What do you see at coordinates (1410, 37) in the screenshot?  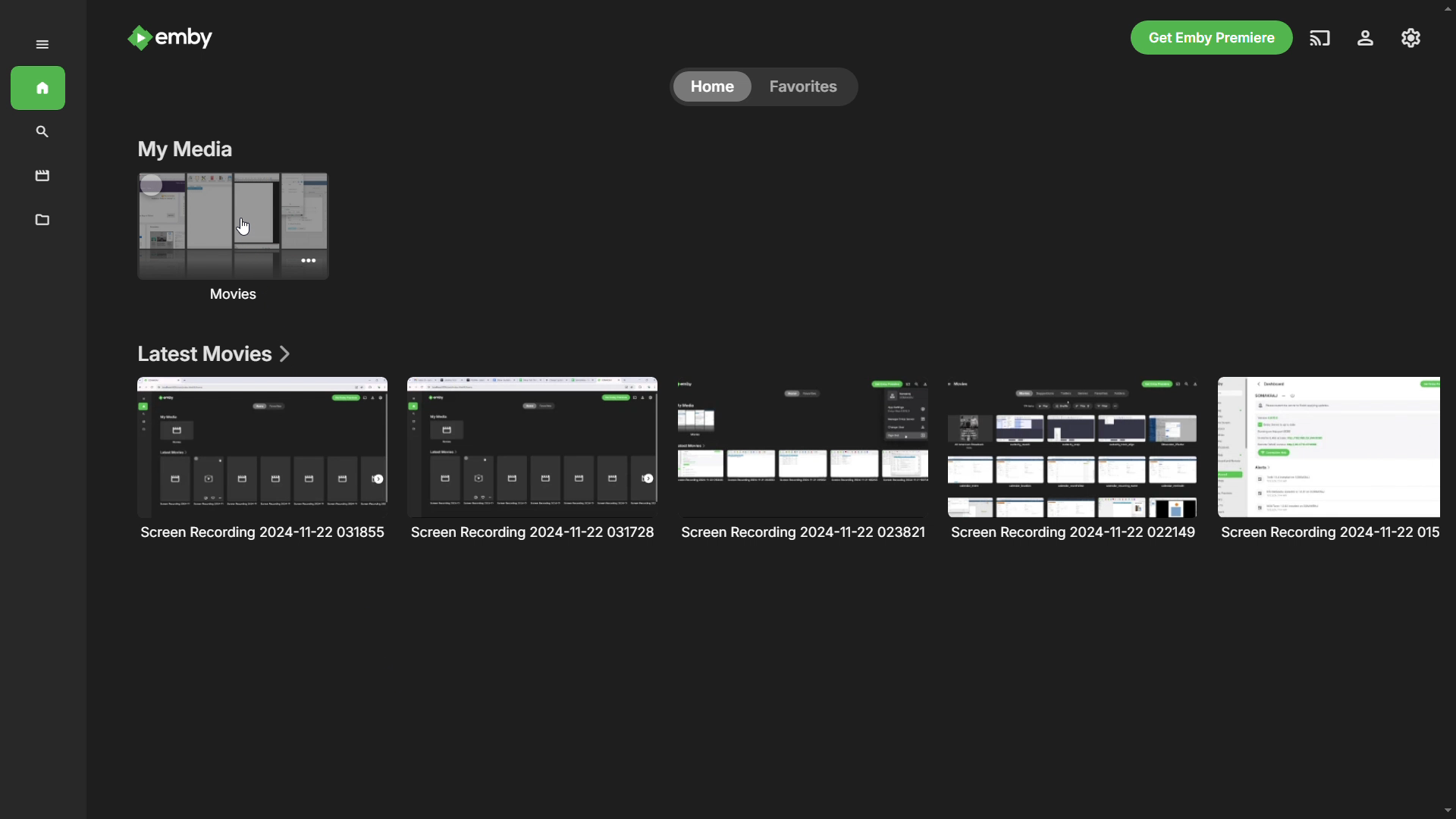 I see `settings` at bounding box center [1410, 37].